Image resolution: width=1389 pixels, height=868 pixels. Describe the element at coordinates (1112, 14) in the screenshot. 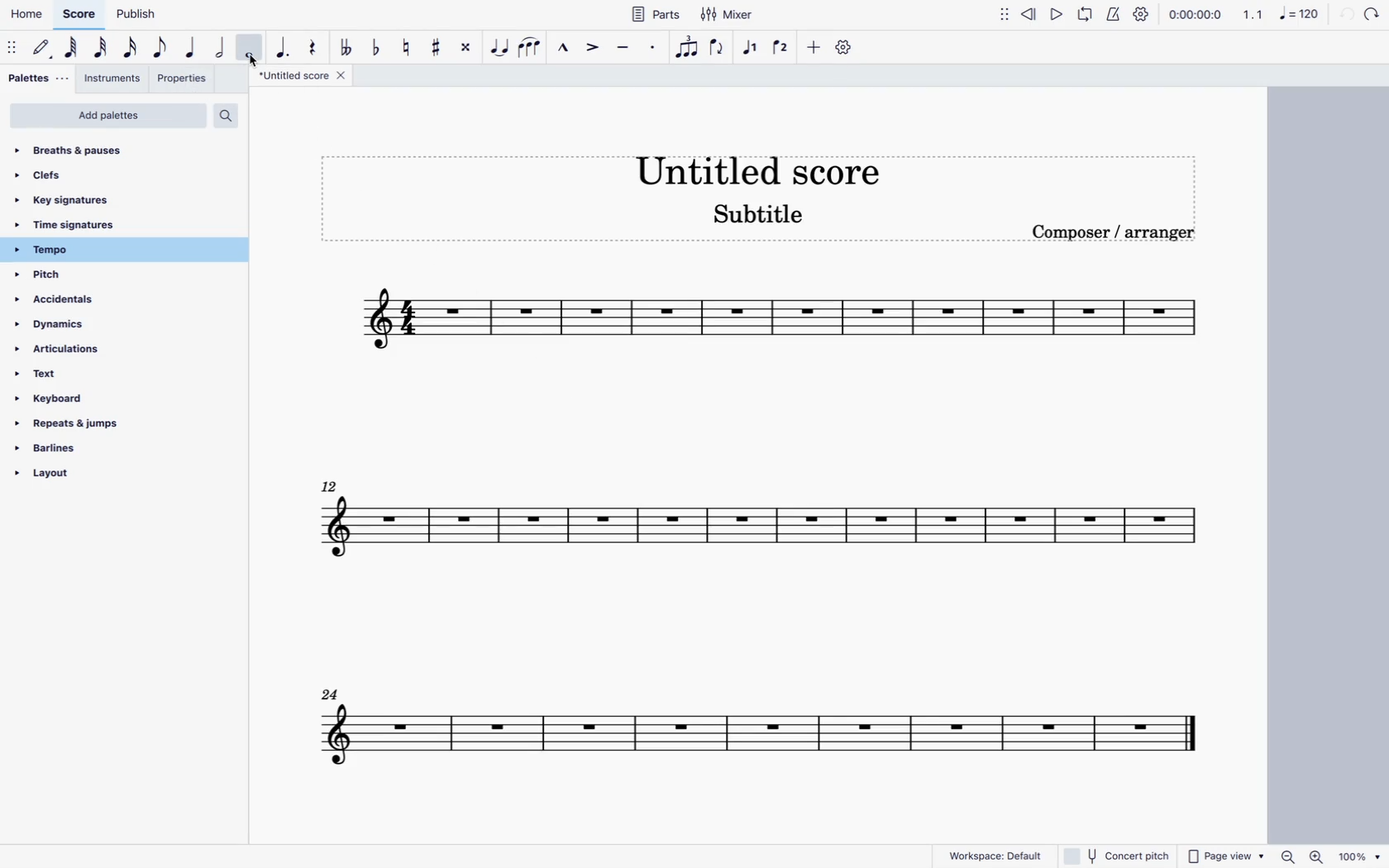

I see `metronome` at that location.